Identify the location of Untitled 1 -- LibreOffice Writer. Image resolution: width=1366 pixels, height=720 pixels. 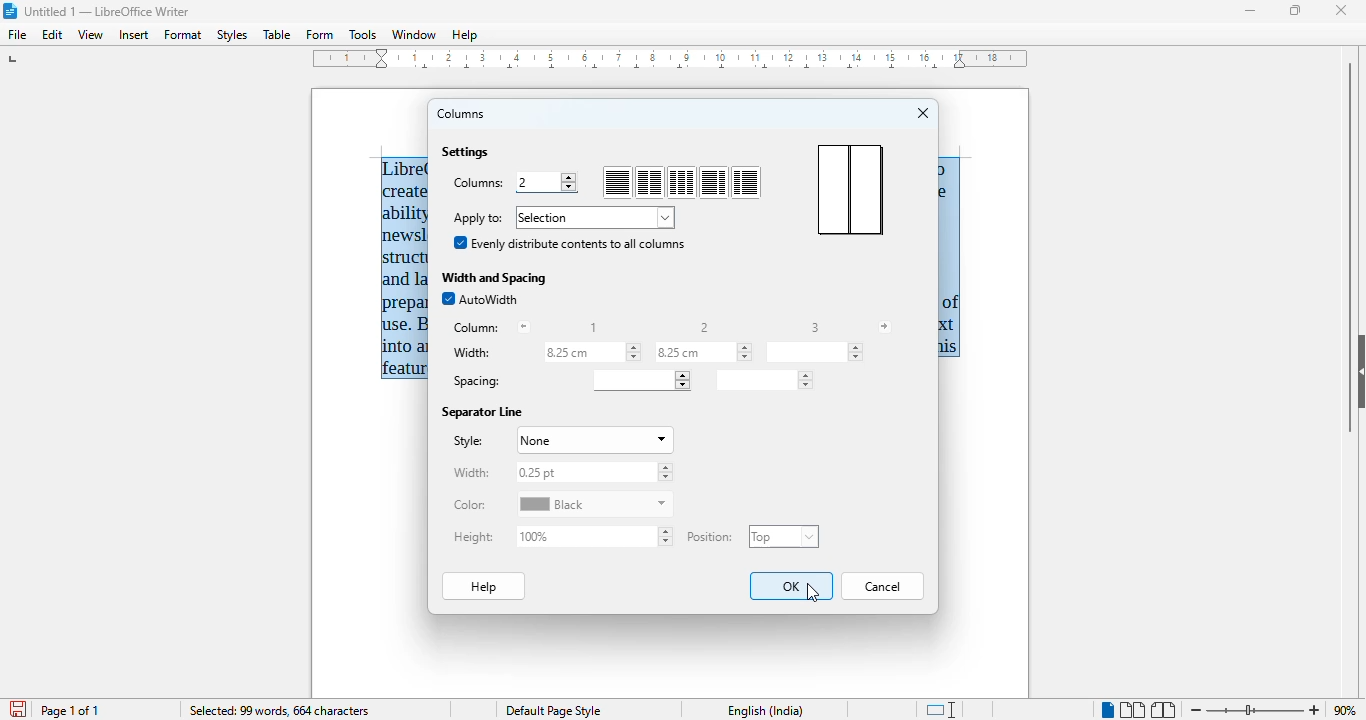
(110, 10).